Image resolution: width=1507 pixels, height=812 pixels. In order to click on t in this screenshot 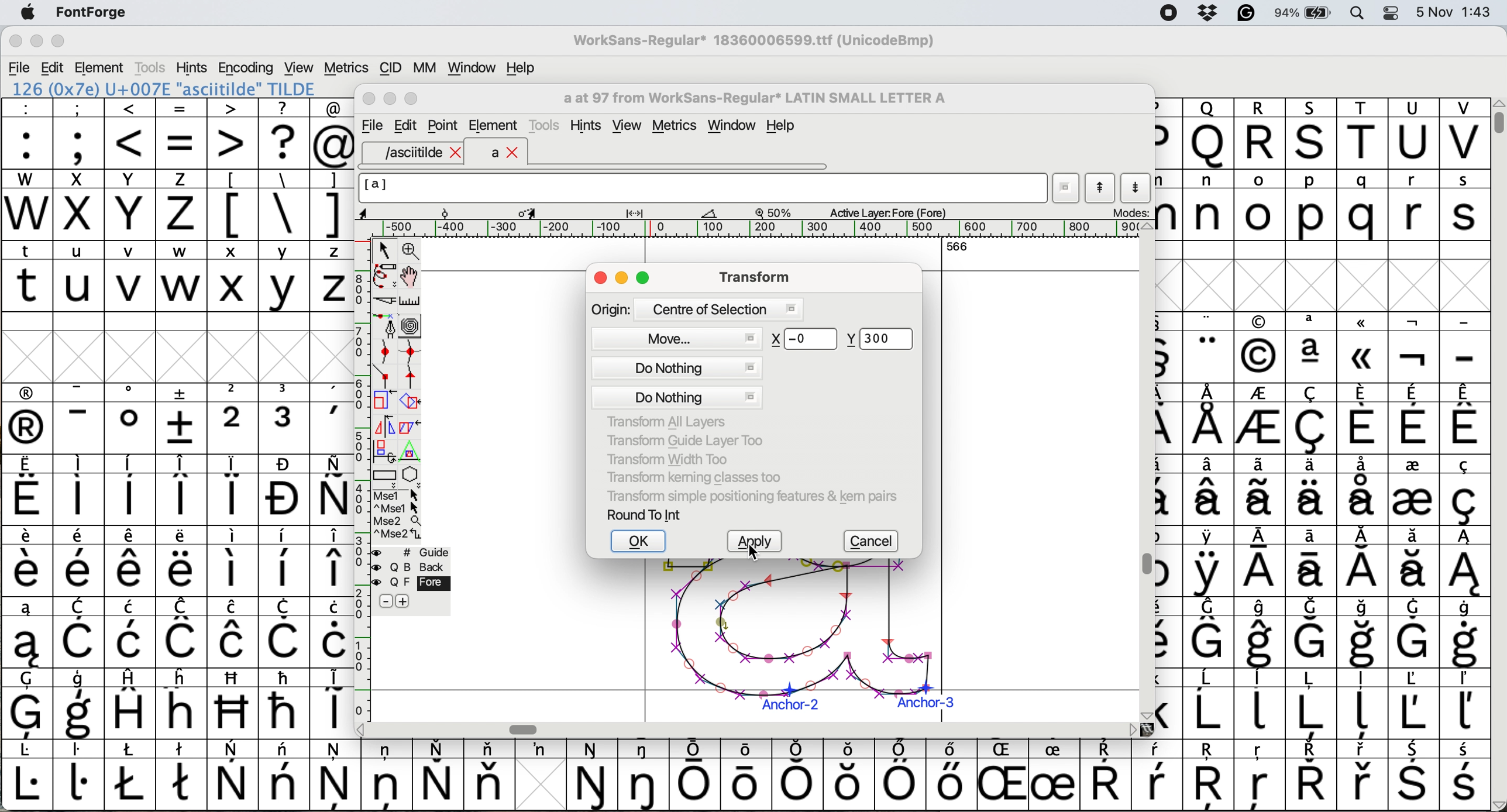, I will do `click(27, 275)`.